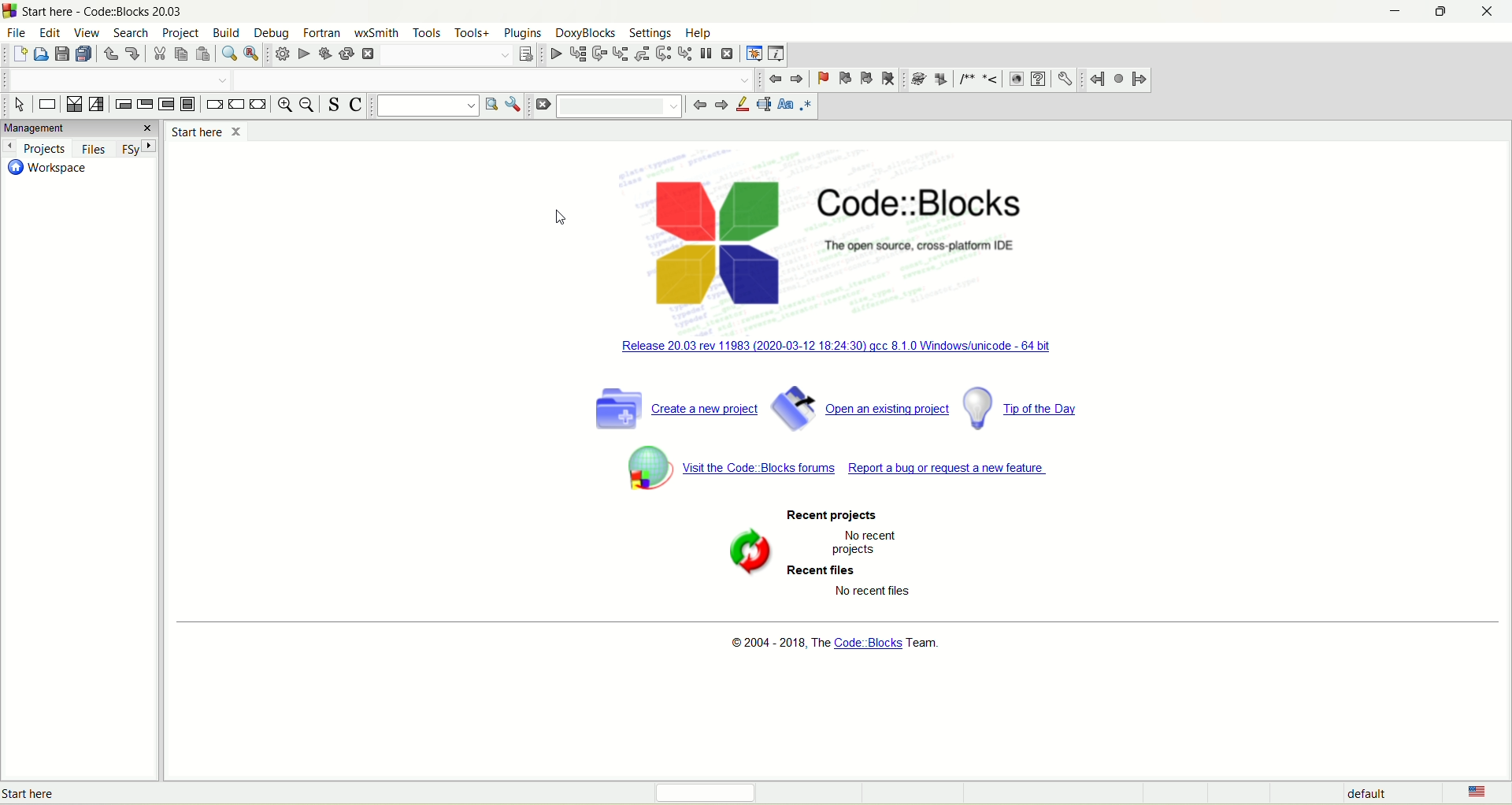  I want to click on search, so click(133, 33).